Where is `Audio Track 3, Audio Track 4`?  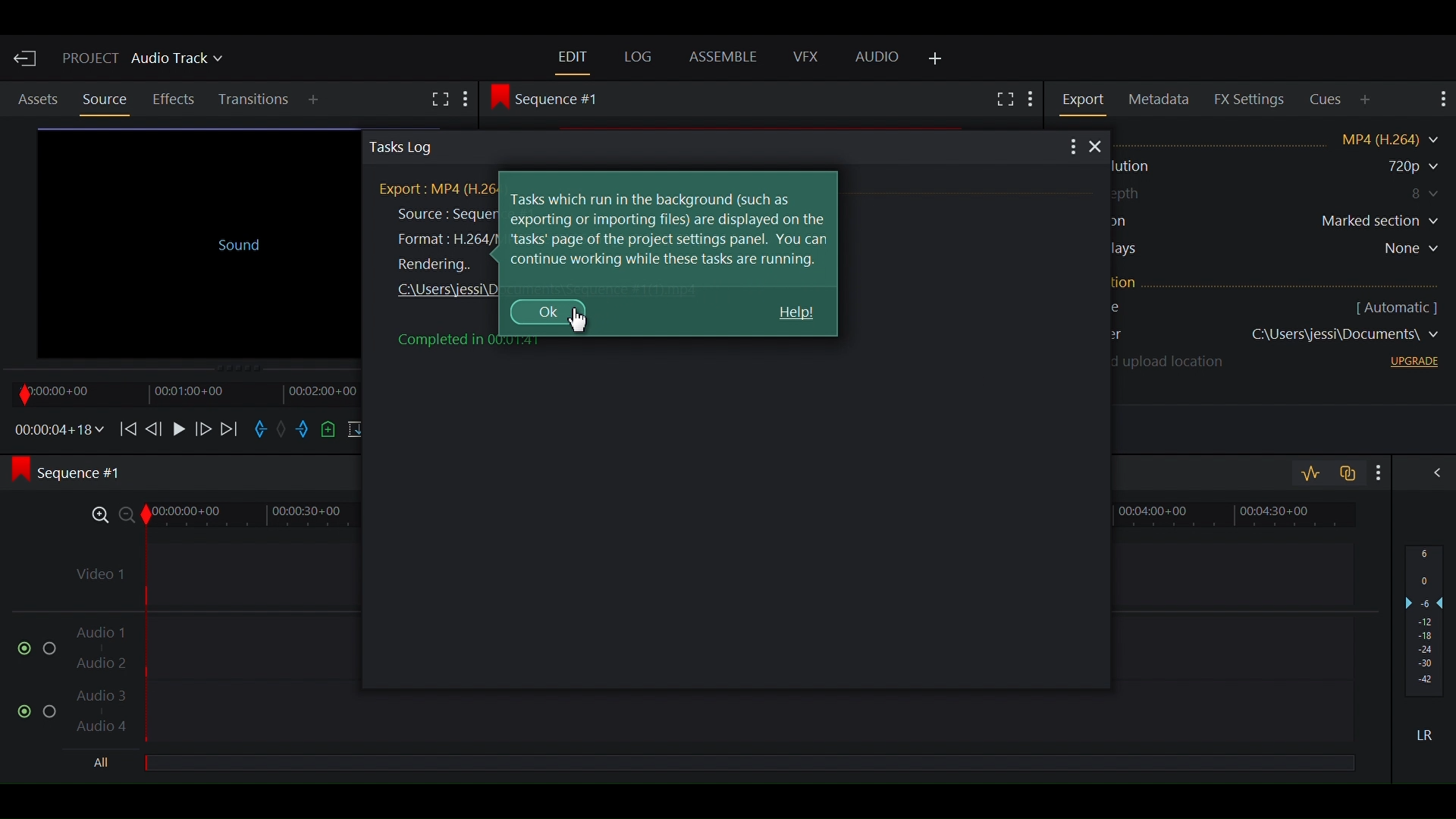 Audio Track 3, Audio Track 4 is located at coordinates (711, 715).